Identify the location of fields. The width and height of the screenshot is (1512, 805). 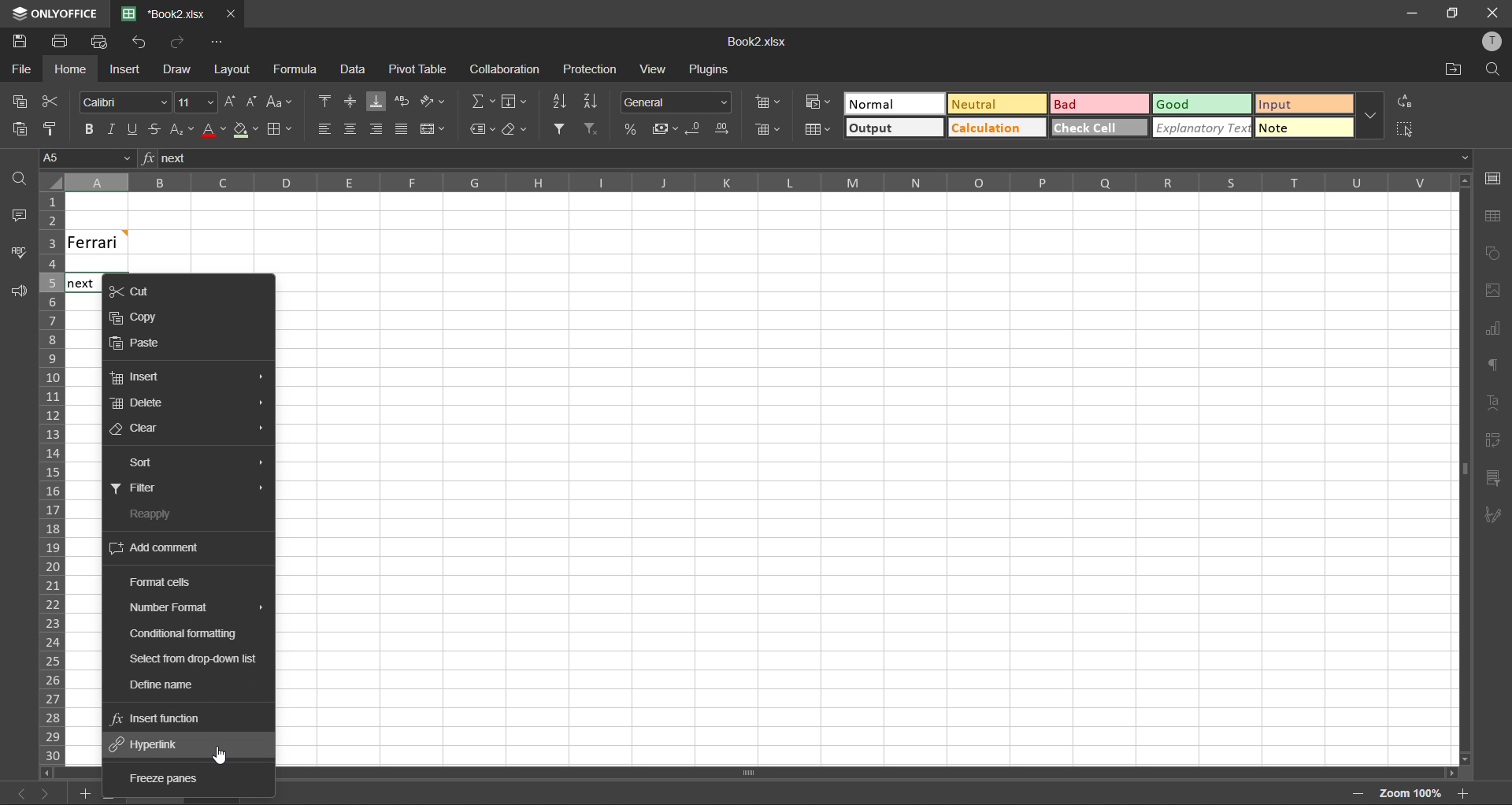
(514, 103).